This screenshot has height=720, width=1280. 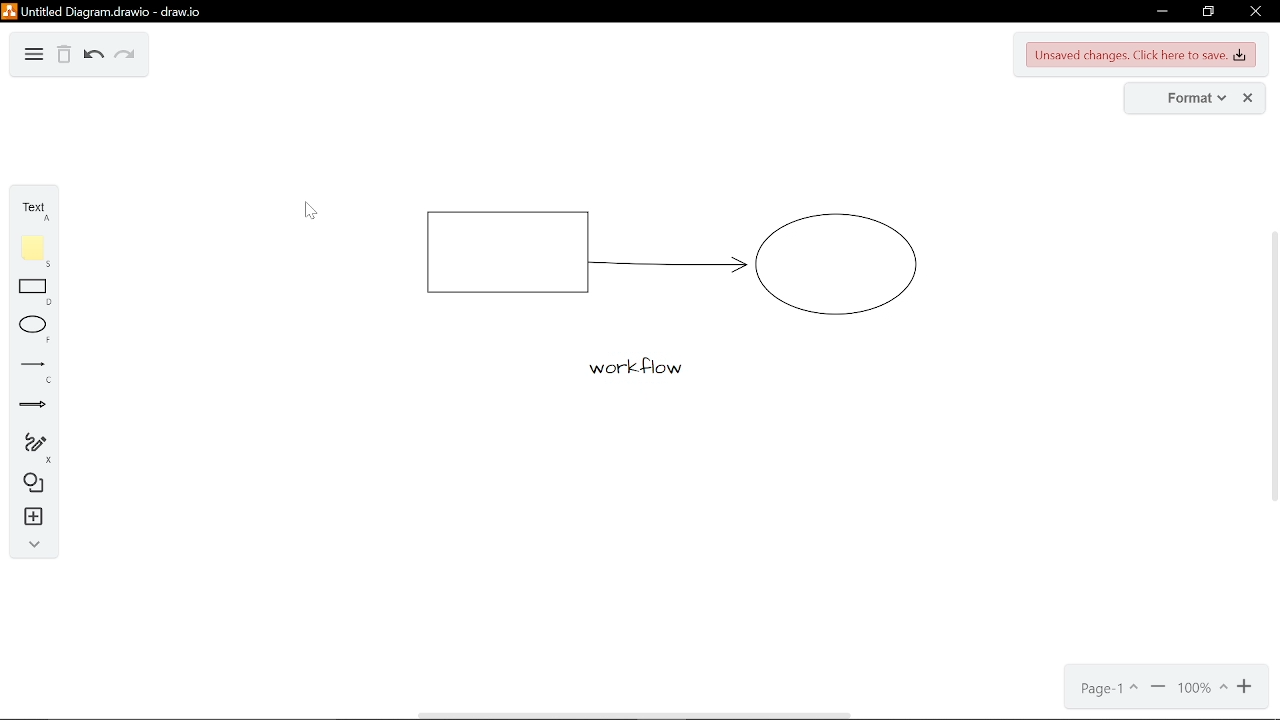 What do you see at coordinates (668, 255) in the screenshot?
I see `current diagram` at bounding box center [668, 255].